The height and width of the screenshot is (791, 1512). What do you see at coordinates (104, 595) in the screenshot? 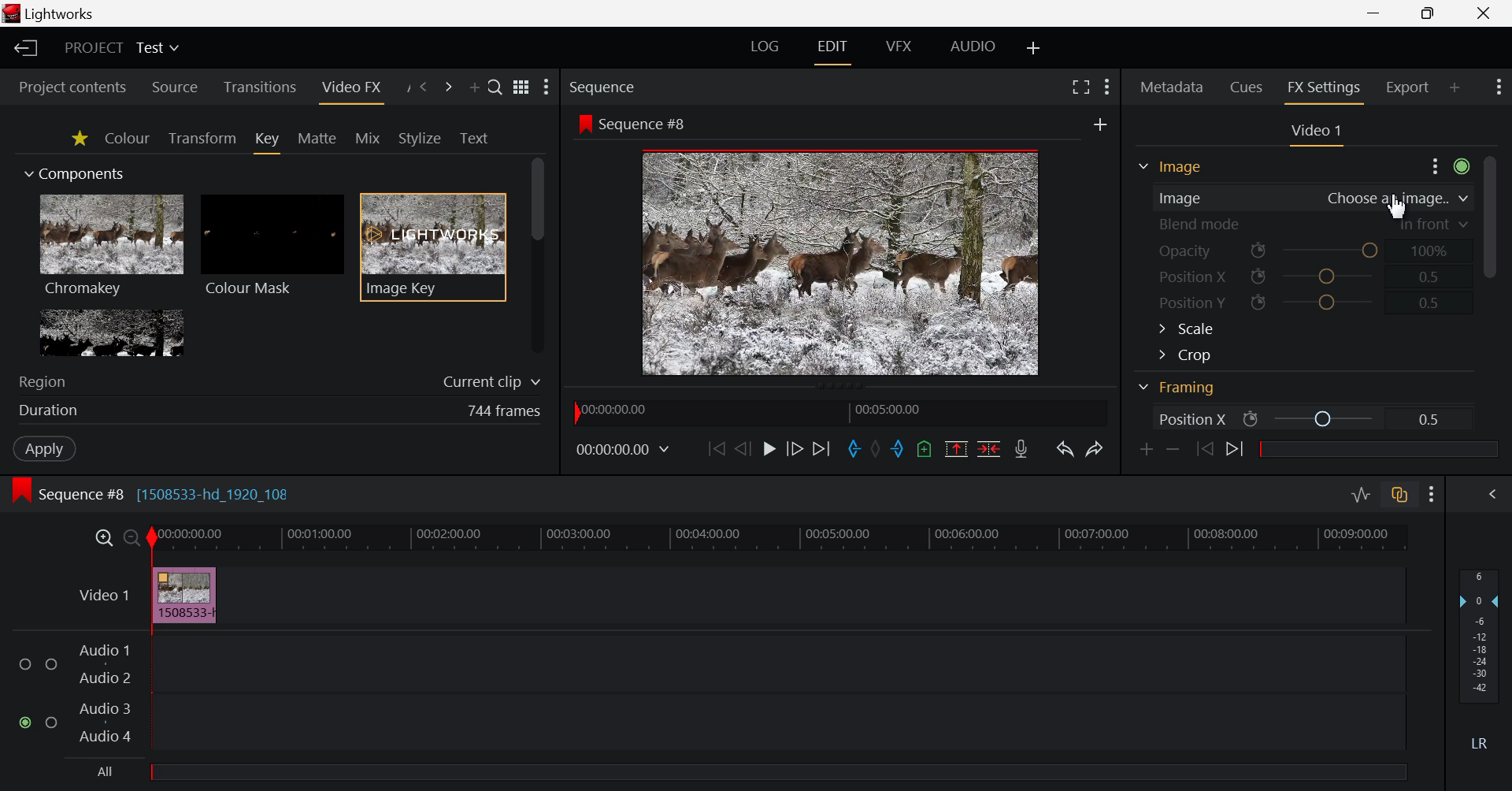
I see `Video 1` at bounding box center [104, 595].